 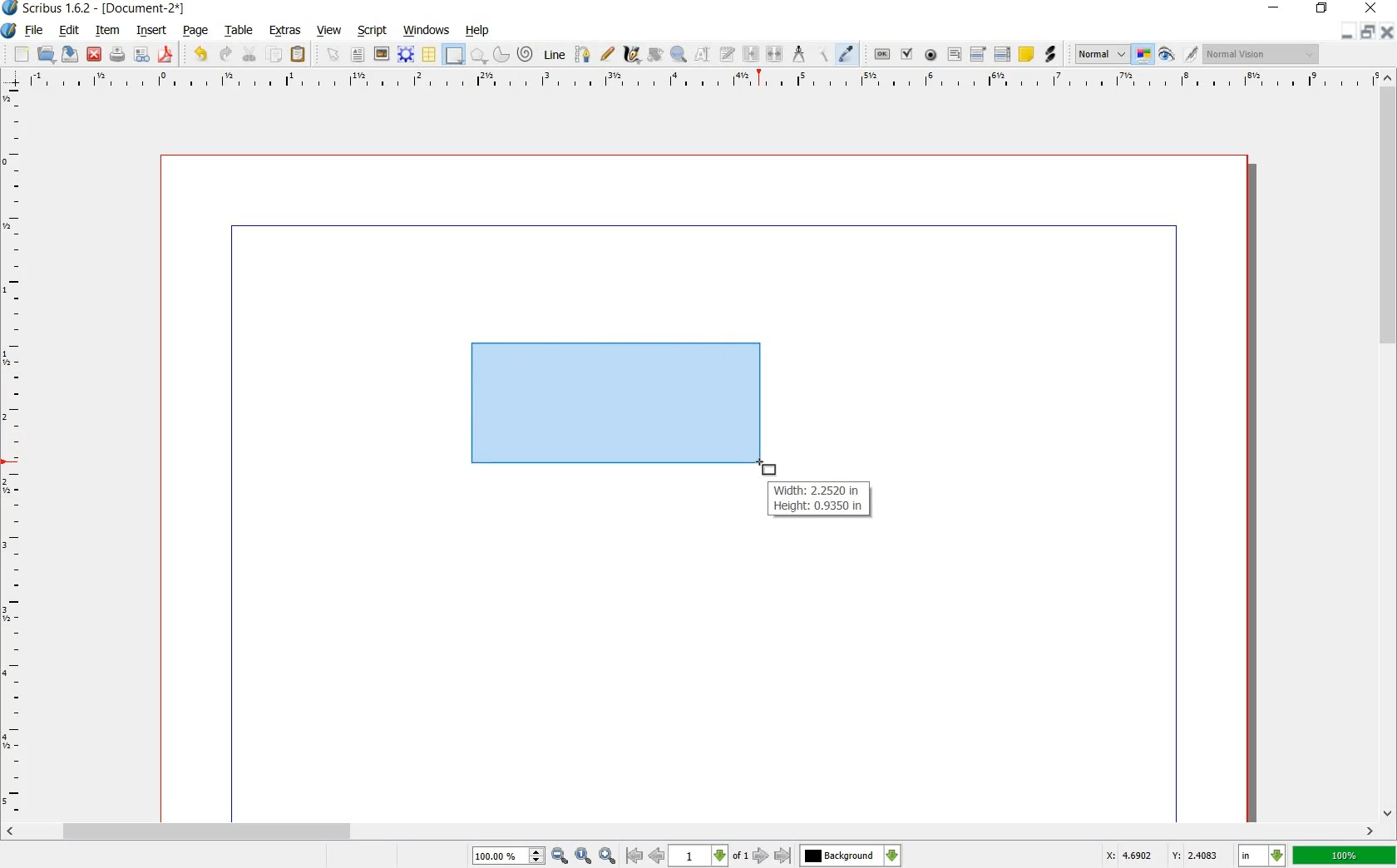 What do you see at coordinates (656, 856) in the screenshot?
I see `go to previous page` at bounding box center [656, 856].